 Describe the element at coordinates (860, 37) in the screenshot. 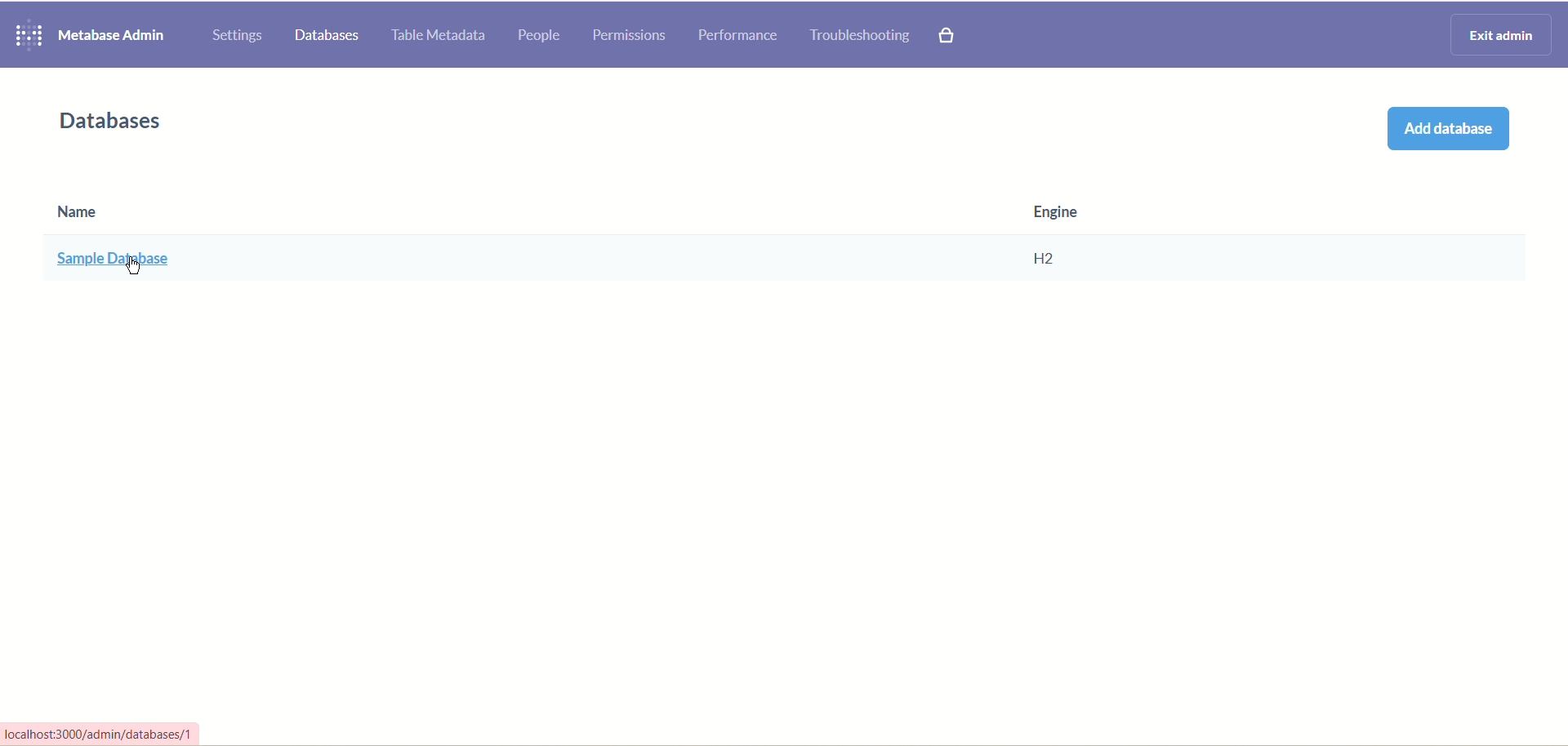

I see `troubleshooting` at that location.